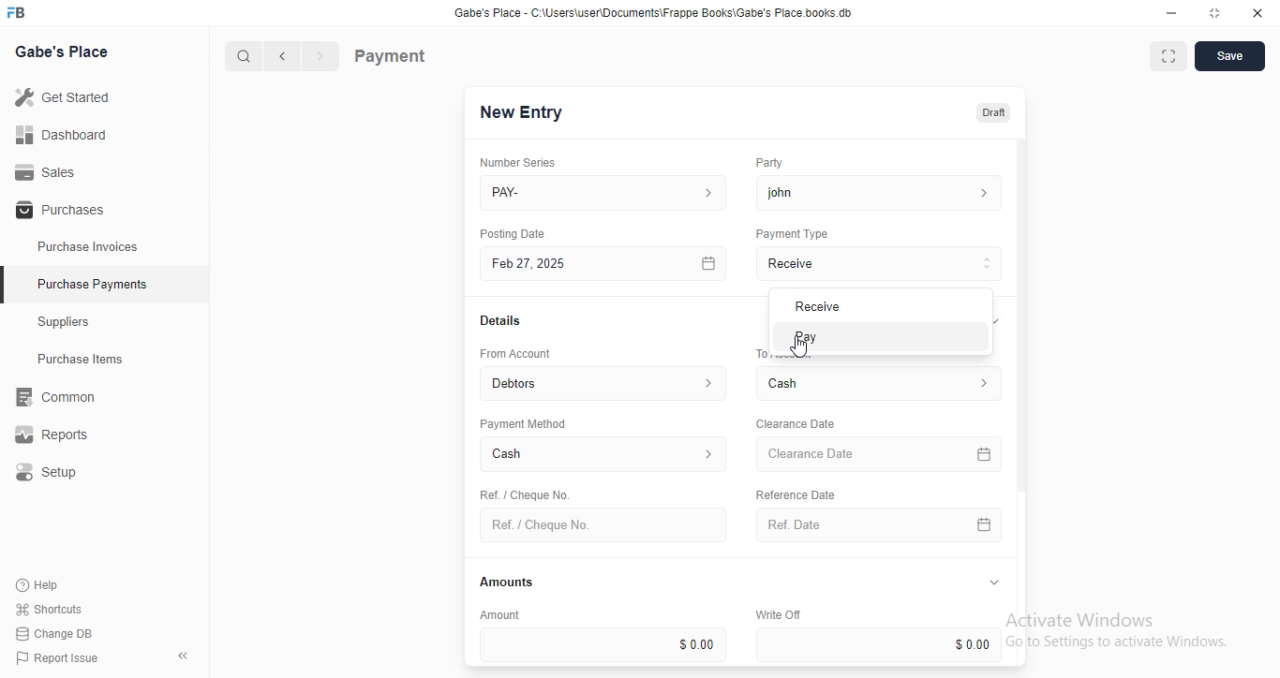 This screenshot has width=1280, height=678. What do you see at coordinates (759, 353) in the screenshot?
I see `To Account` at bounding box center [759, 353].